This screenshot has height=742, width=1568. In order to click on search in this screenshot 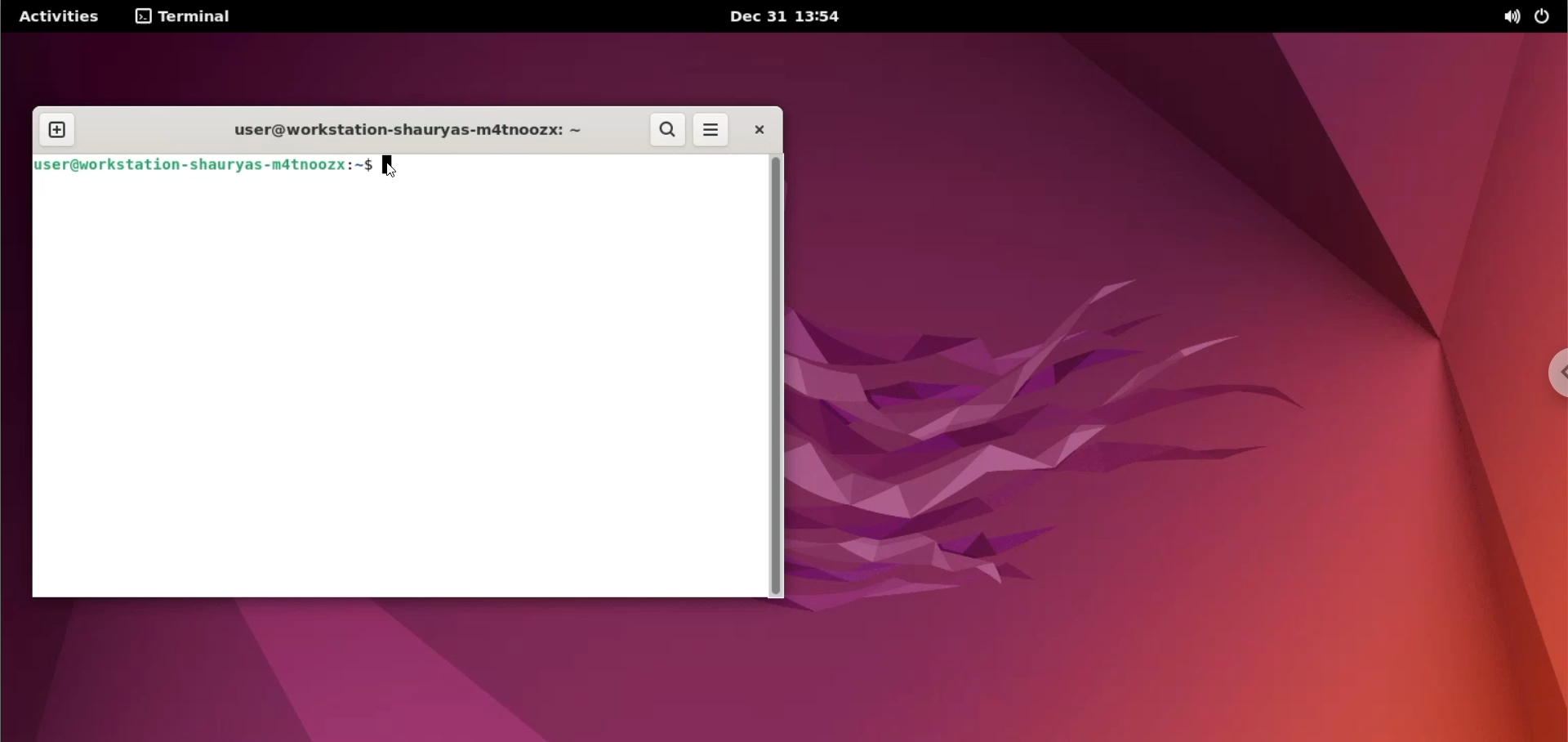, I will do `click(669, 130)`.